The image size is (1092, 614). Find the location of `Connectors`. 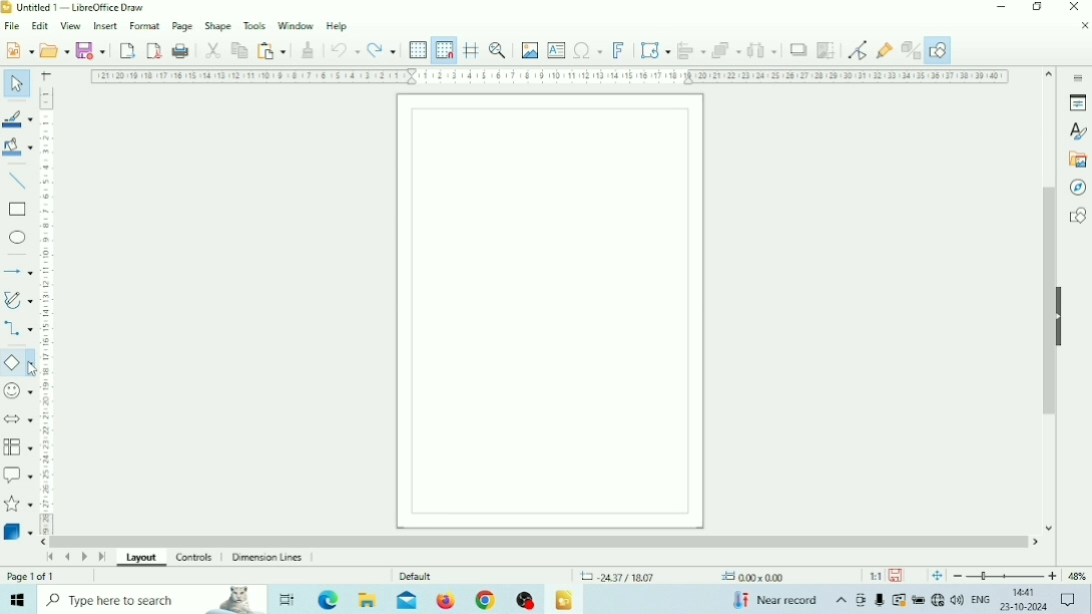

Connectors is located at coordinates (18, 330).